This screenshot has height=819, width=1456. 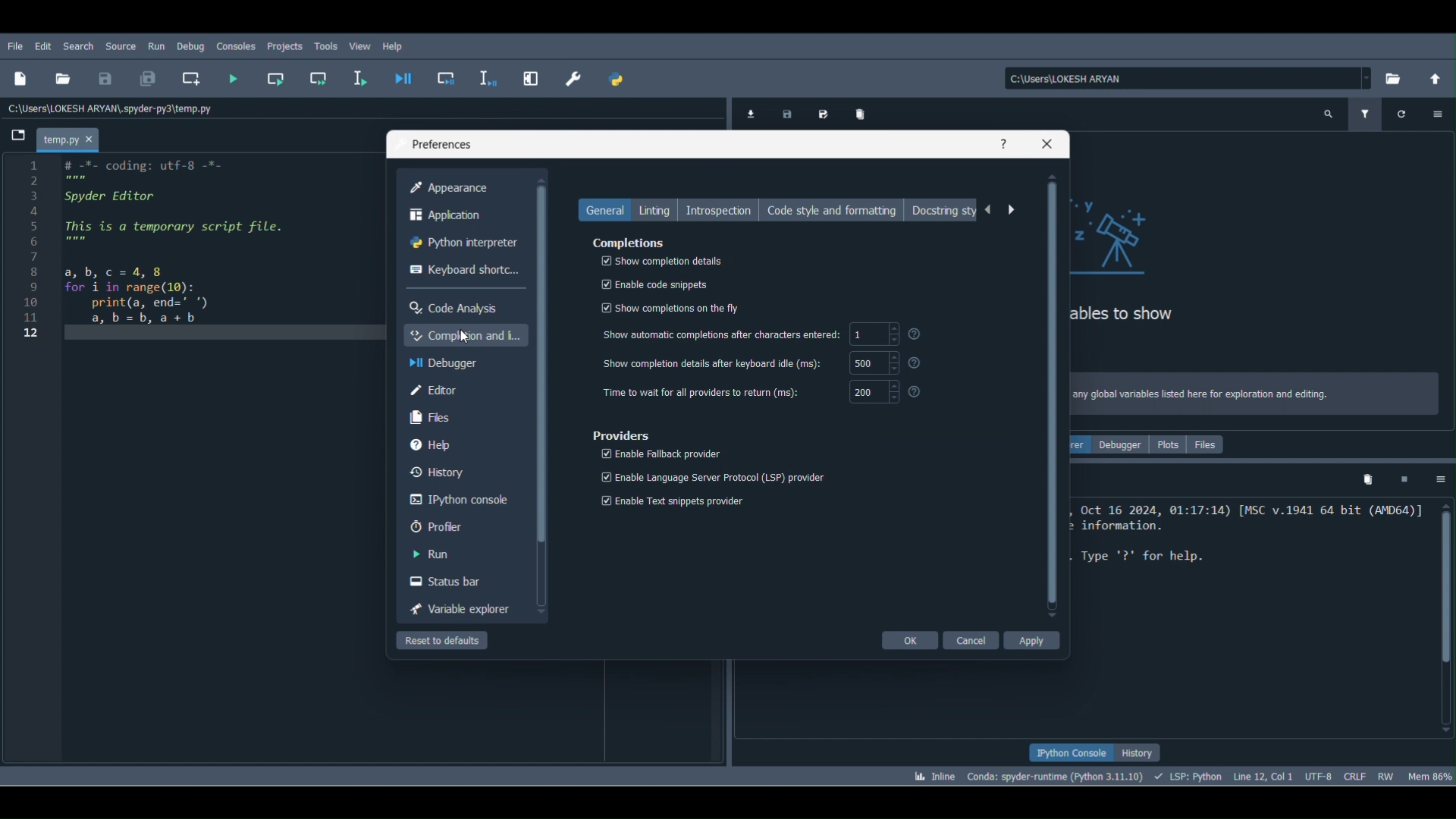 I want to click on IPython console, so click(x=458, y=500).